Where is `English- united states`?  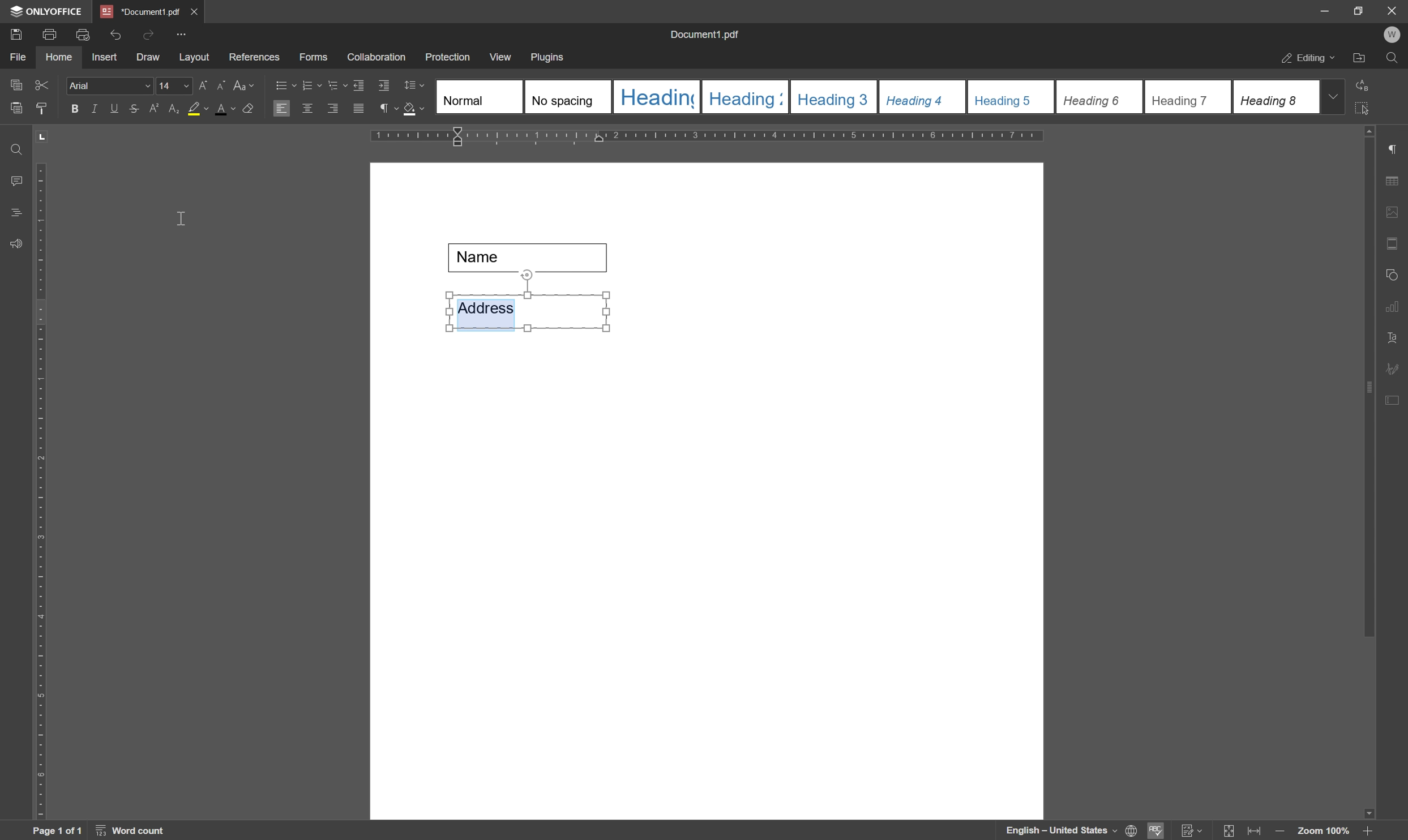 English- united states is located at coordinates (1072, 831).